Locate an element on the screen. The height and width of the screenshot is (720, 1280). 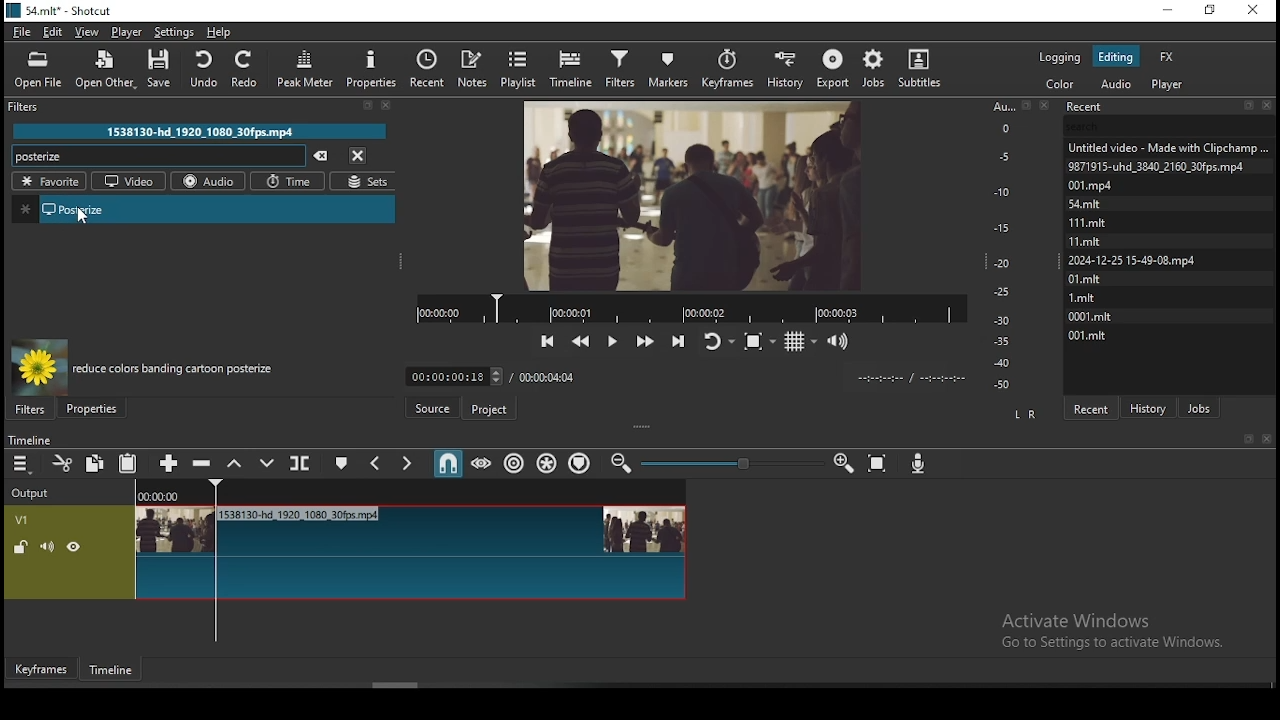
posterize is located at coordinates (207, 210).